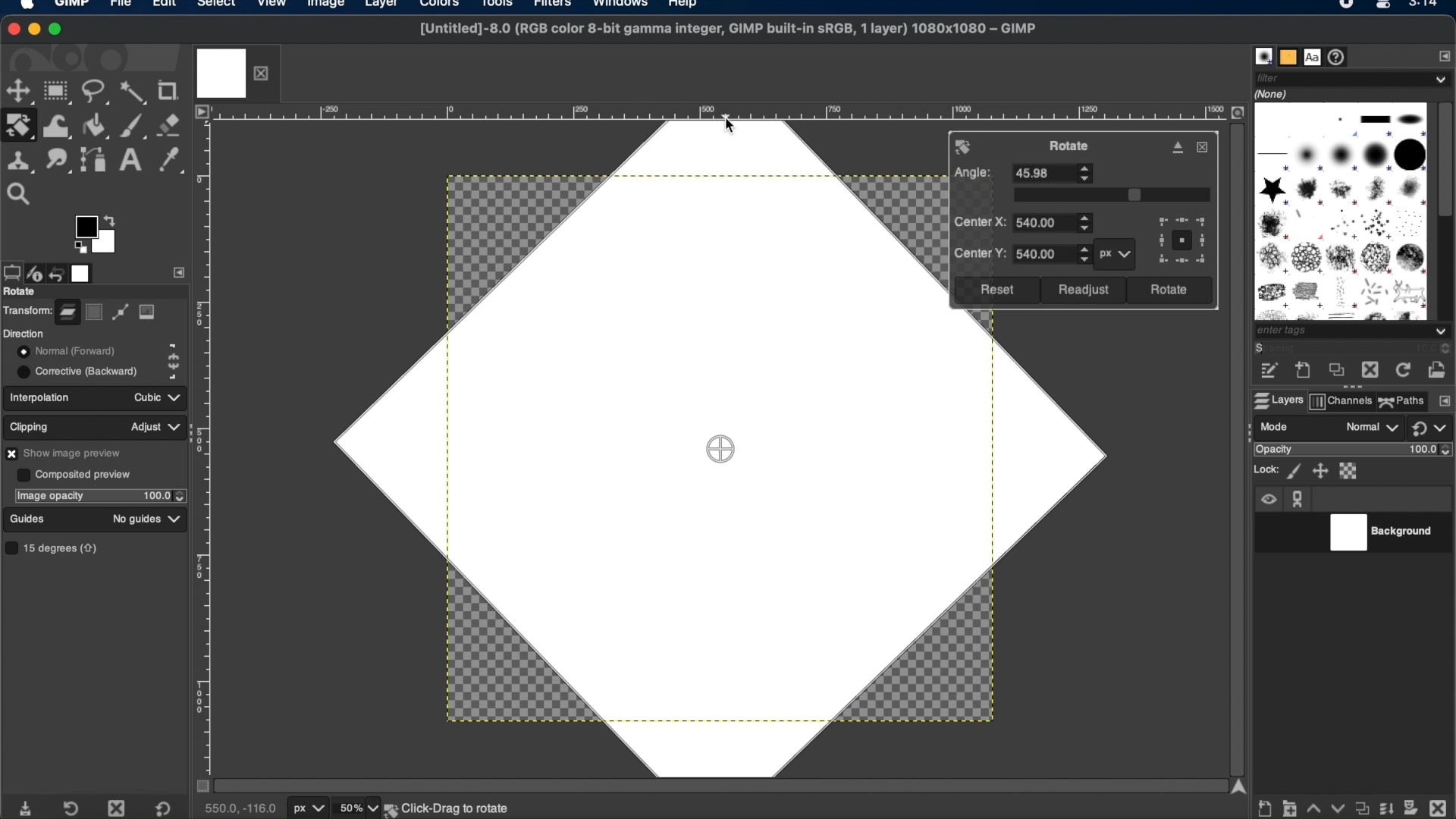 Image resolution: width=1456 pixels, height=819 pixels. I want to click on layer, so click(379, 6).